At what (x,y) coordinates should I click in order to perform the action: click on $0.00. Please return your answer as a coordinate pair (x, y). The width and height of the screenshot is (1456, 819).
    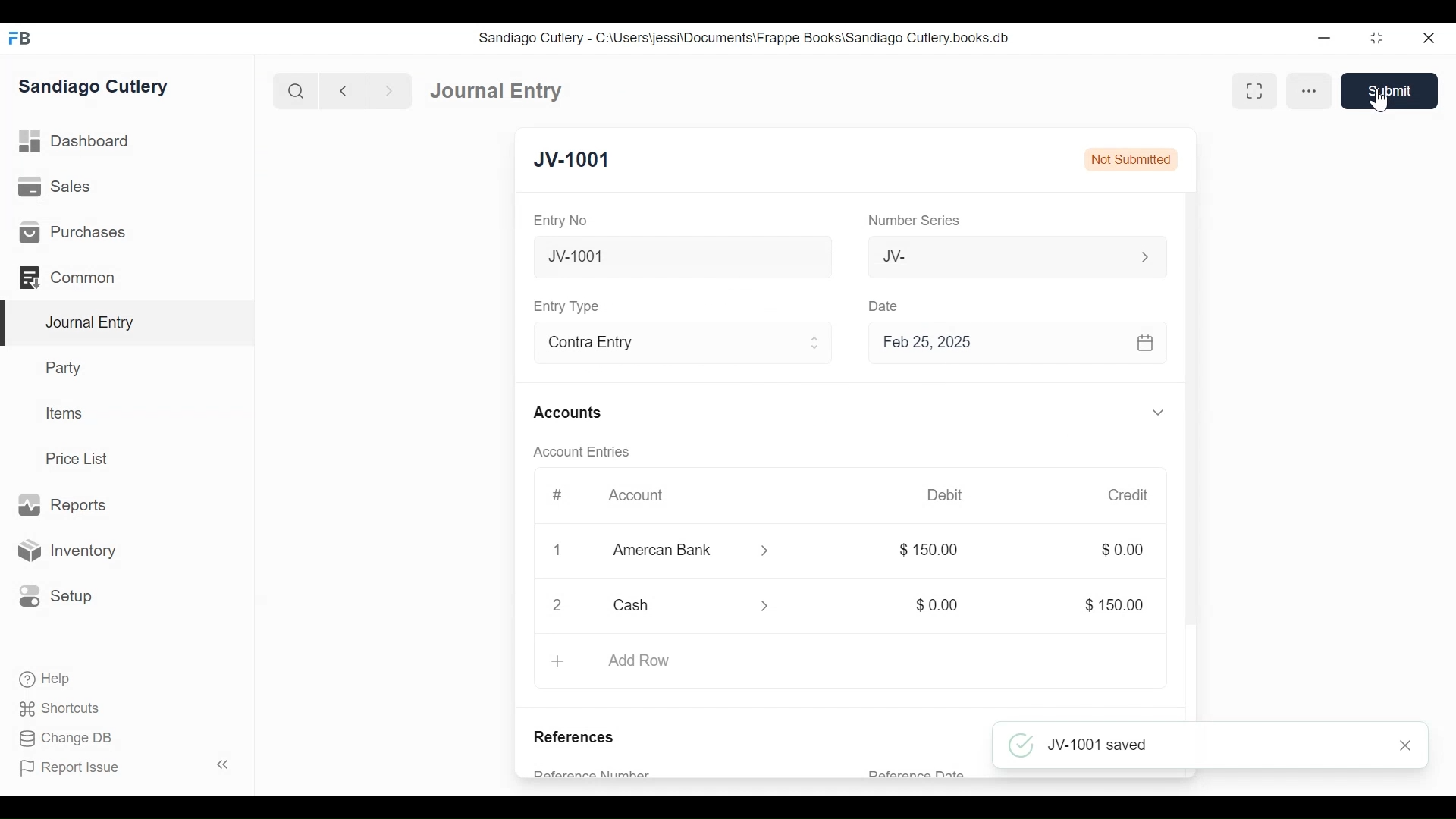
    Looking at the image, I should click on (938, 605).